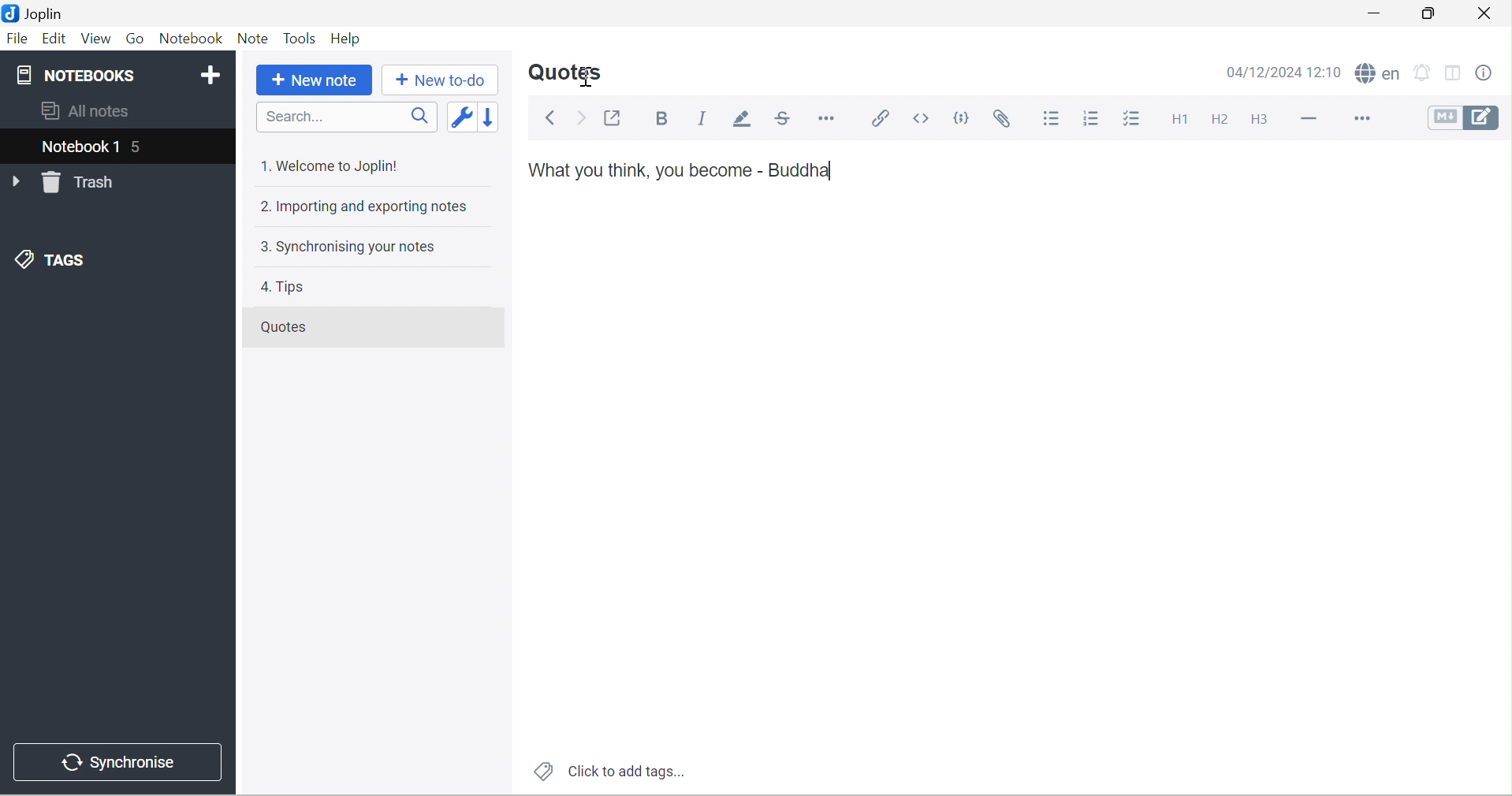 The image size is (1512, 796). I want to click on Italic, so click(707, 118).